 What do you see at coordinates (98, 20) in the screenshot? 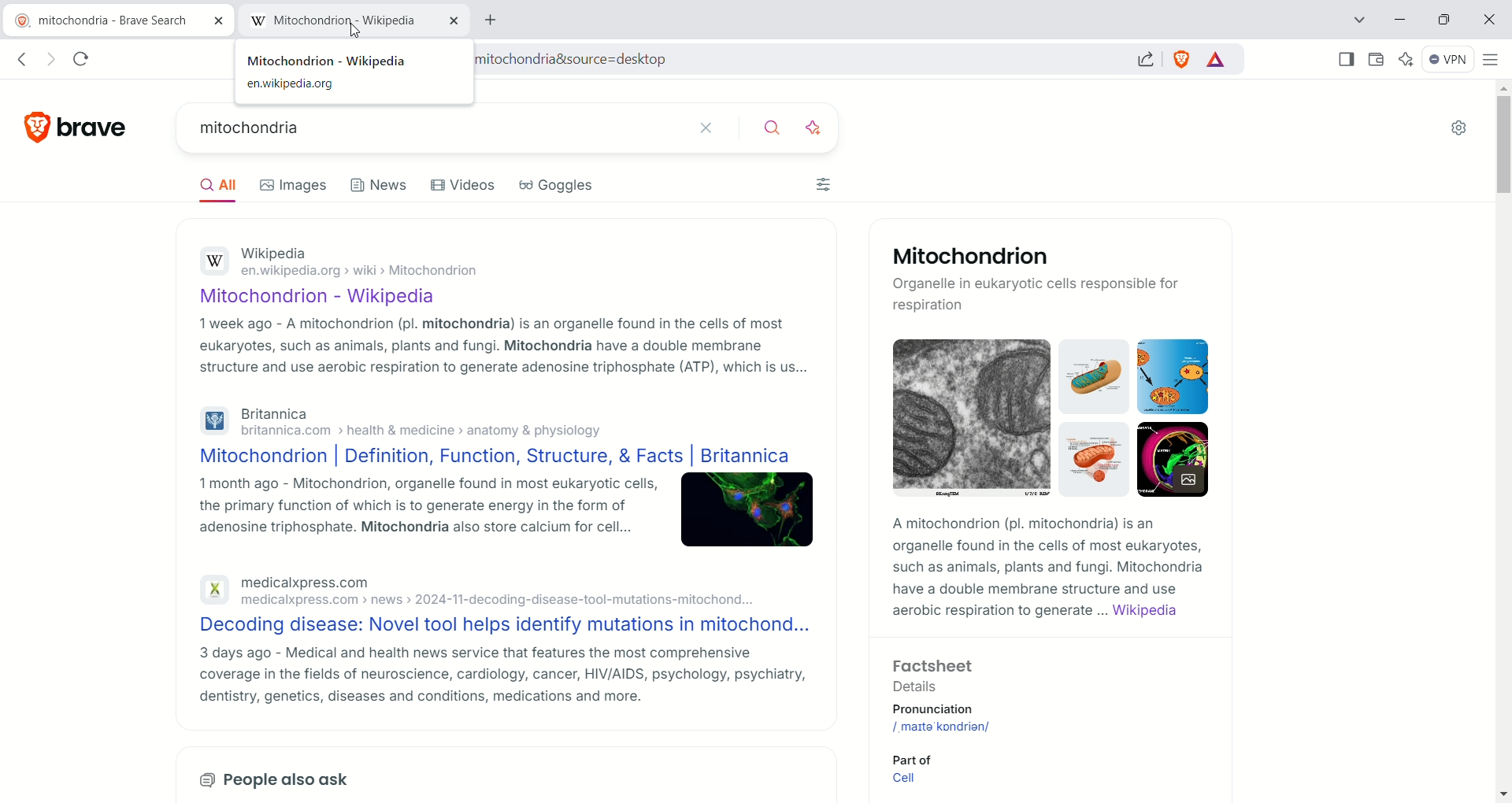
I see `current tab` at bounding box center [98, 20].